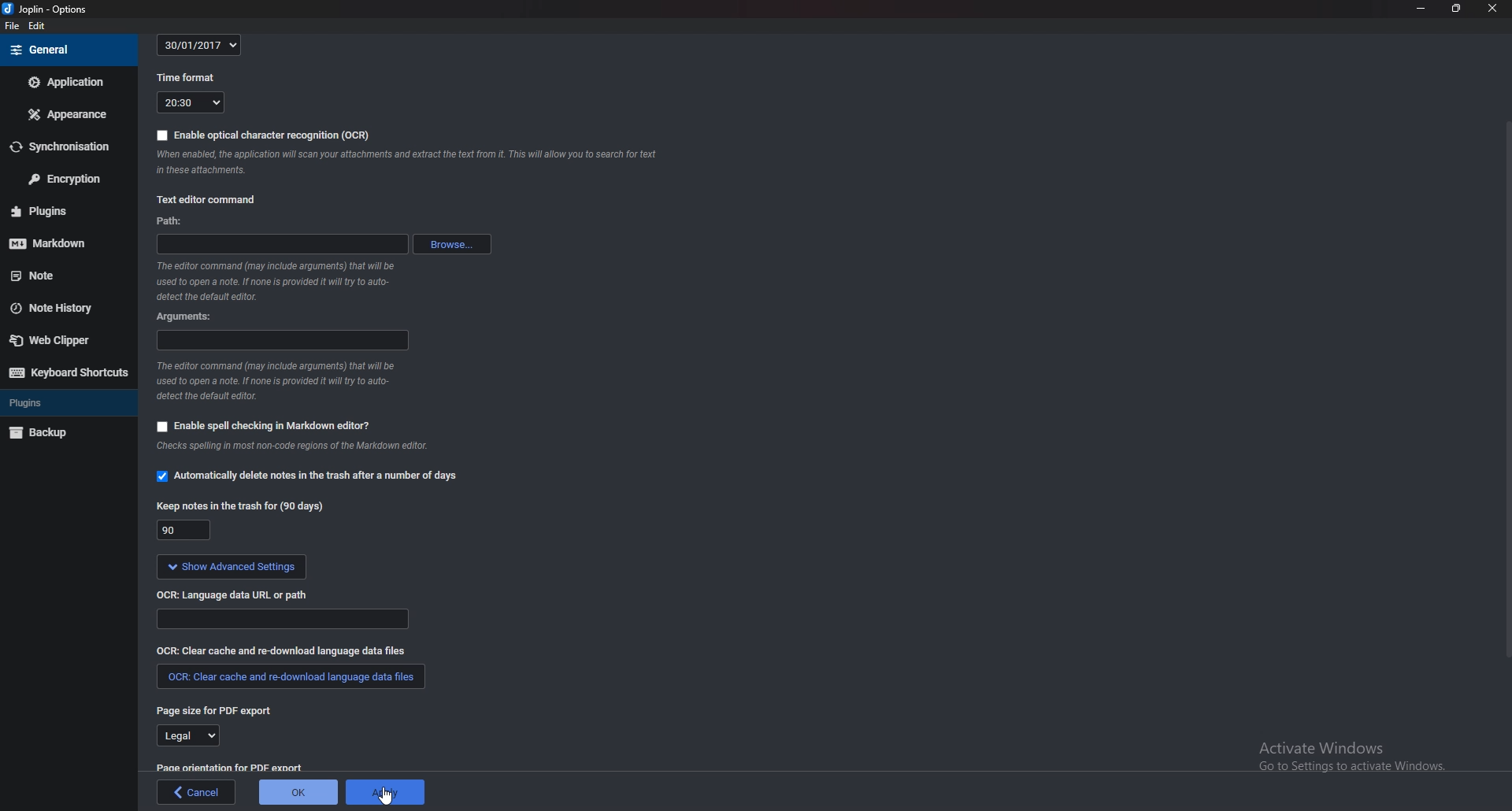  I want to click on Time format, so click(189, 78).